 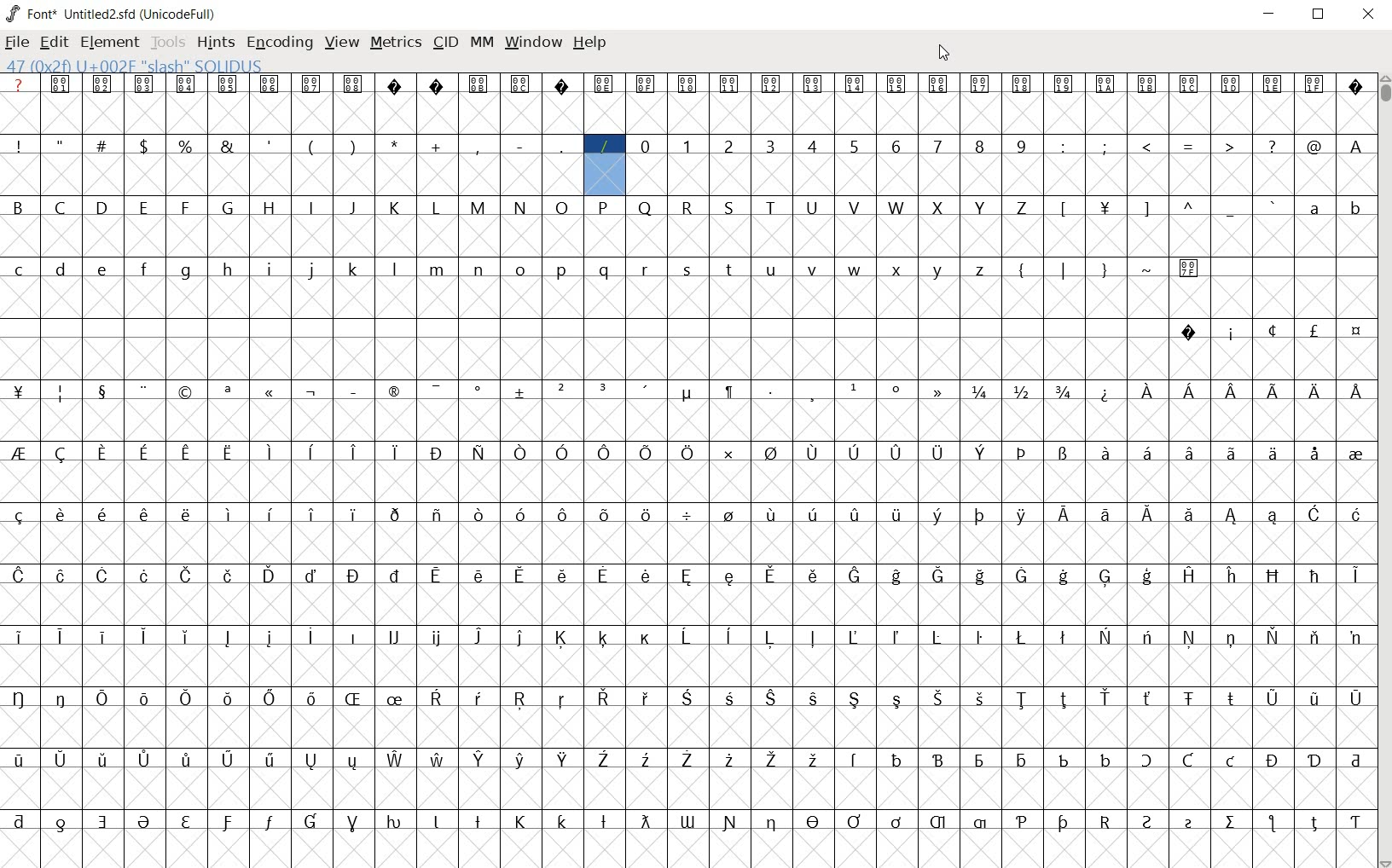 What do you see at coordinates (938, 85) in the screenshot?
I see `glyph` at bounding box center [938, 85].